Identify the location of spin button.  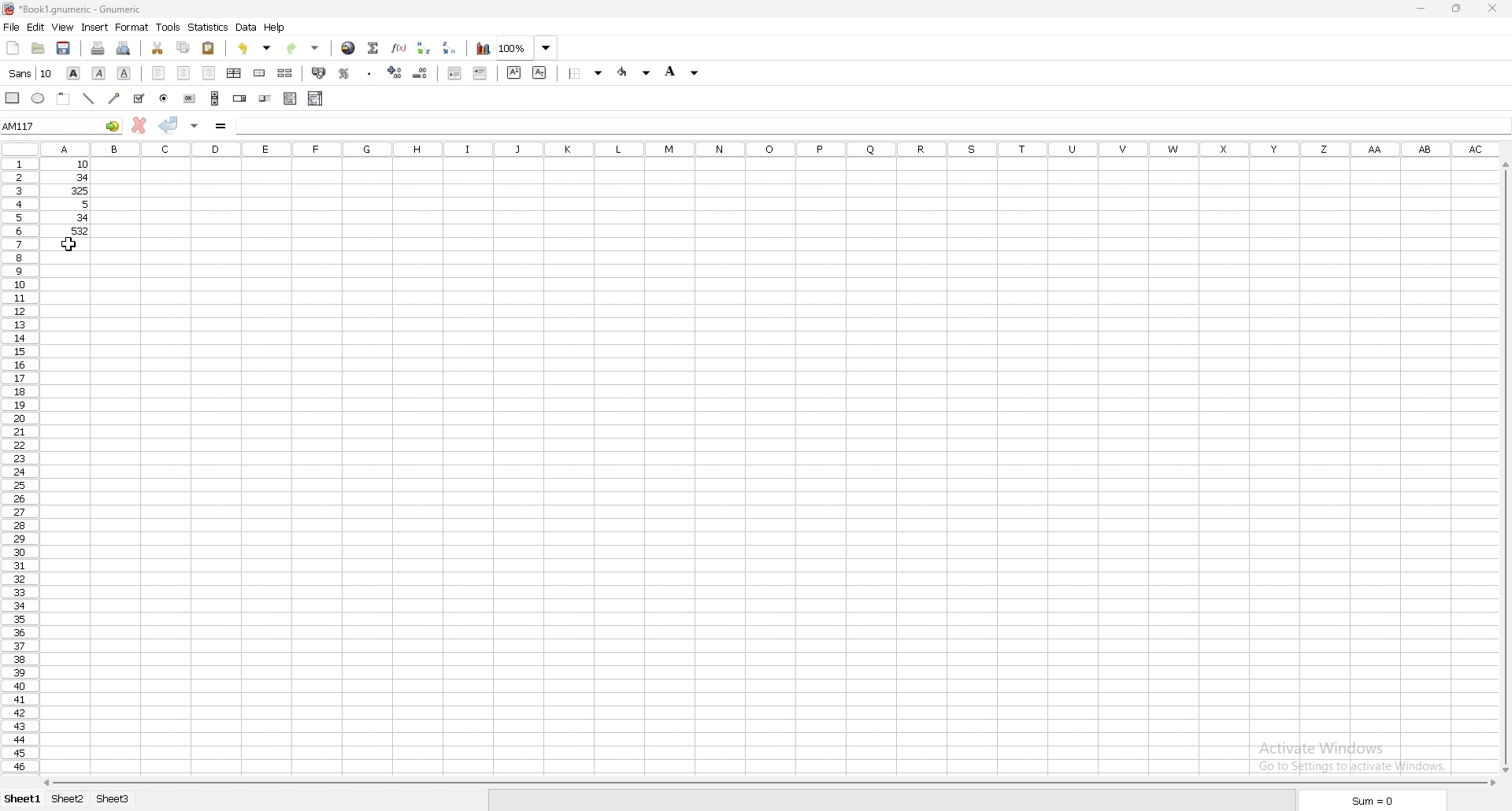
(239, 98).